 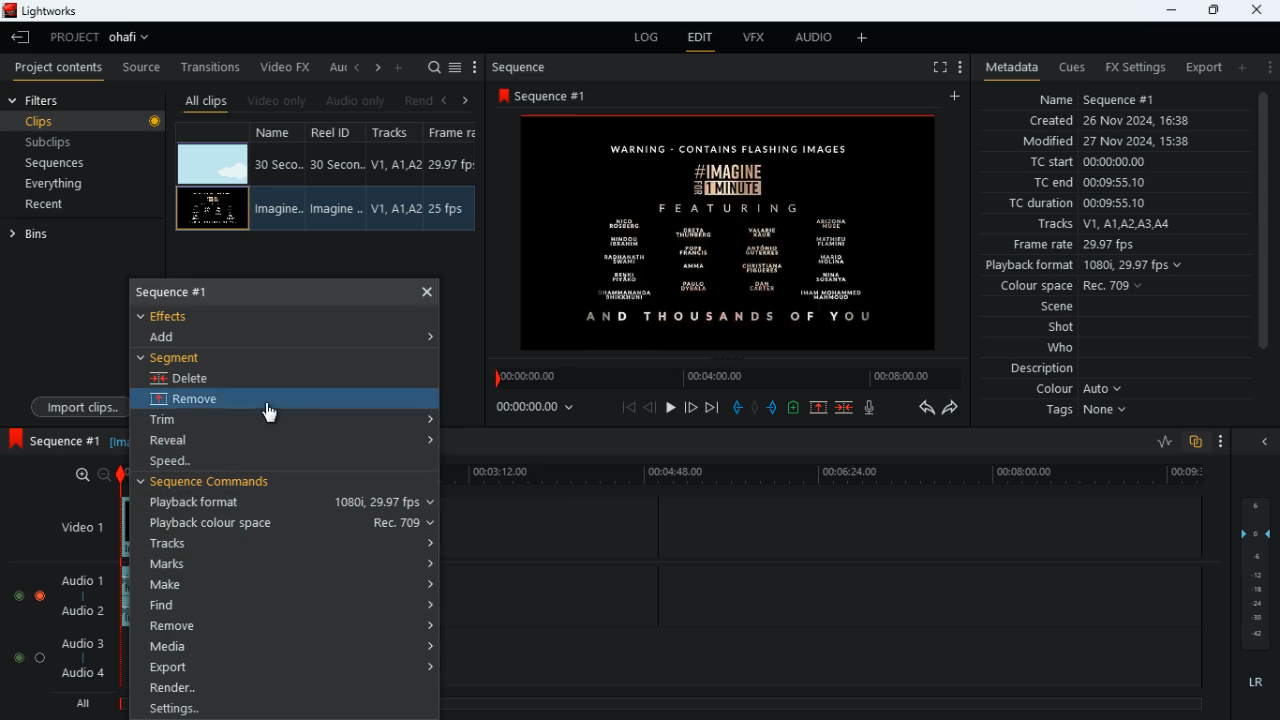 What do you see at coordinates (1097, 183) in the screenshot?
I see `tc end` at bounding box center [1097, 183].